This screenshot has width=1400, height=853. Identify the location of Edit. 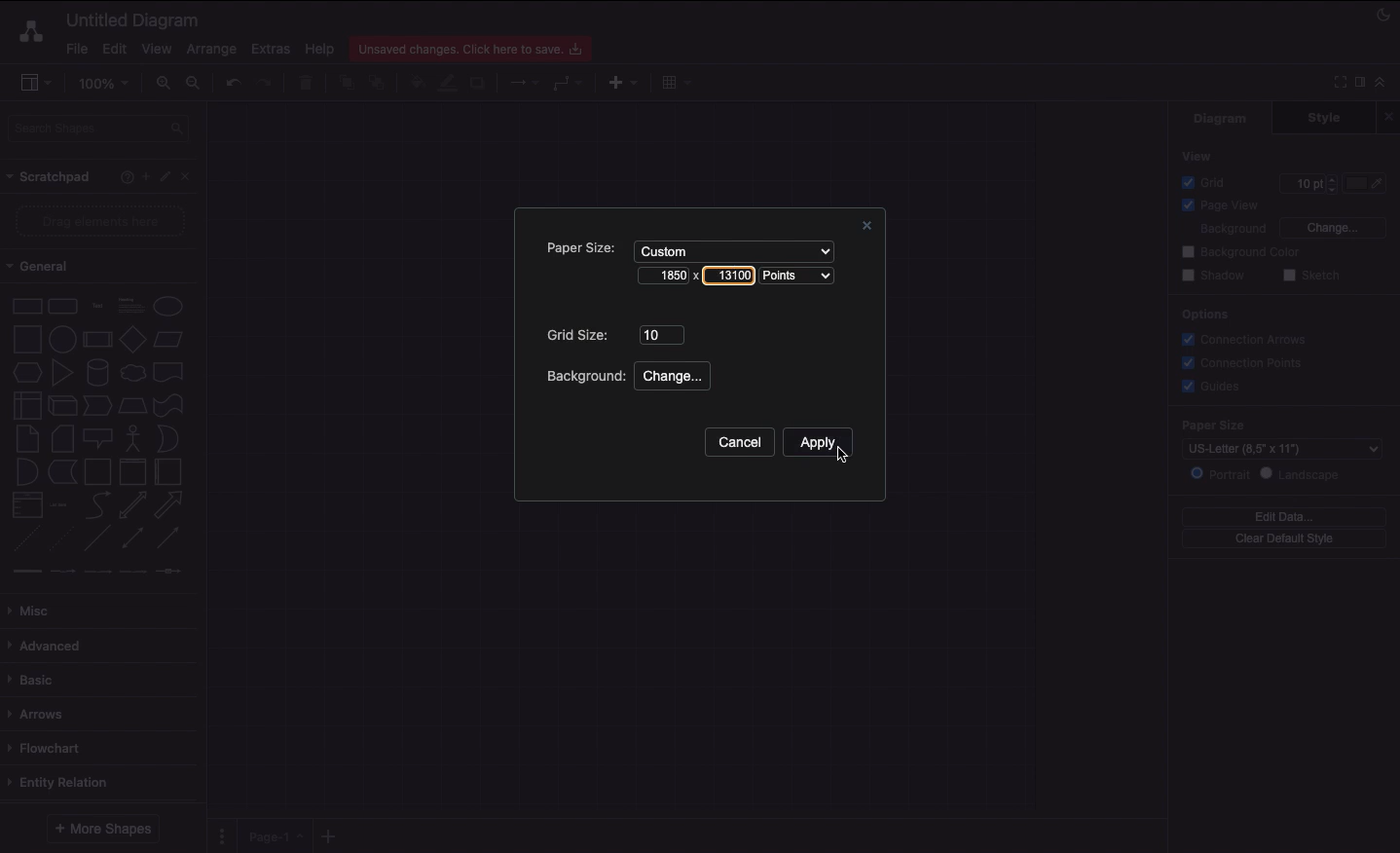
(167, 177).